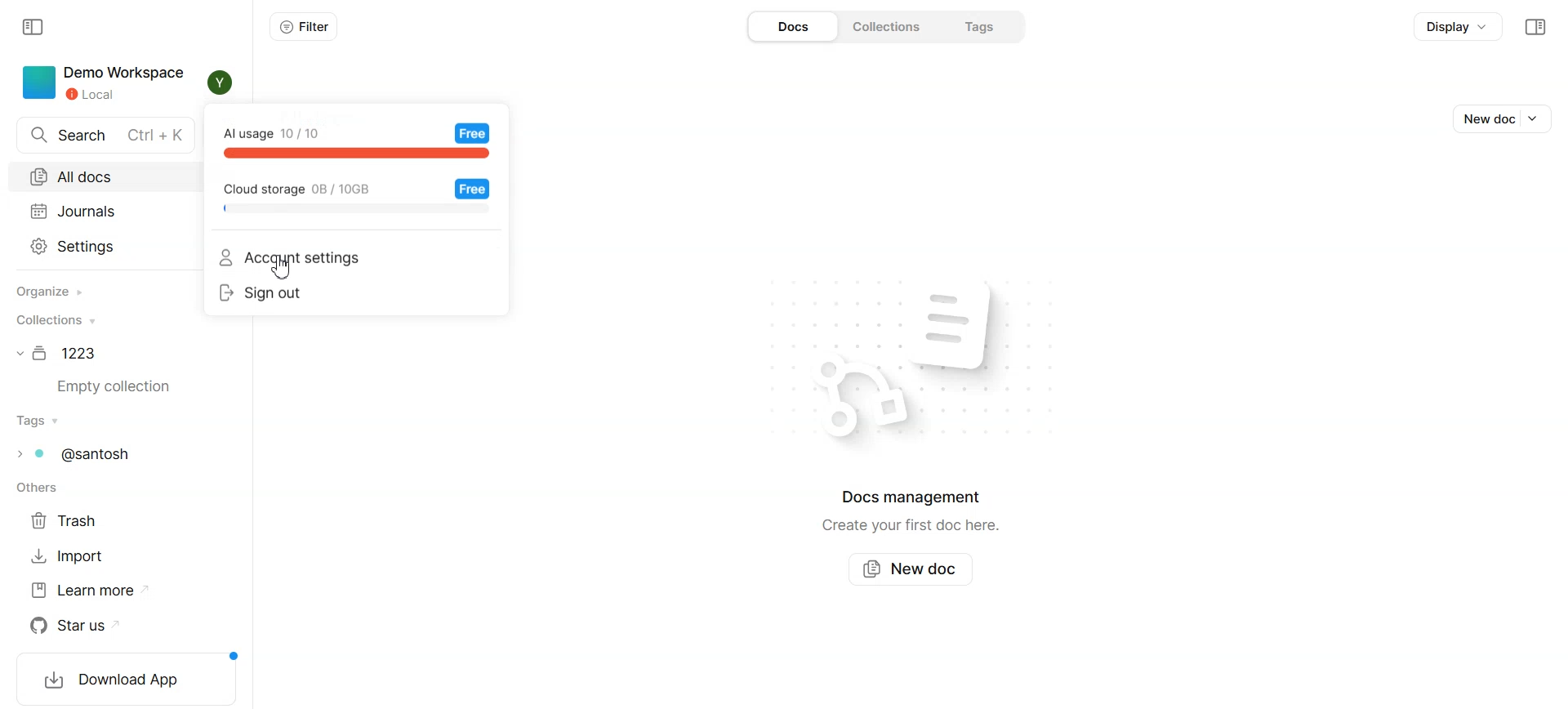 The height and width of the screenshot is (709, 1568). What do you see at coordinates (121, 387) in the screenshot?
I see `empty collection` at bounding box center [121, 387].